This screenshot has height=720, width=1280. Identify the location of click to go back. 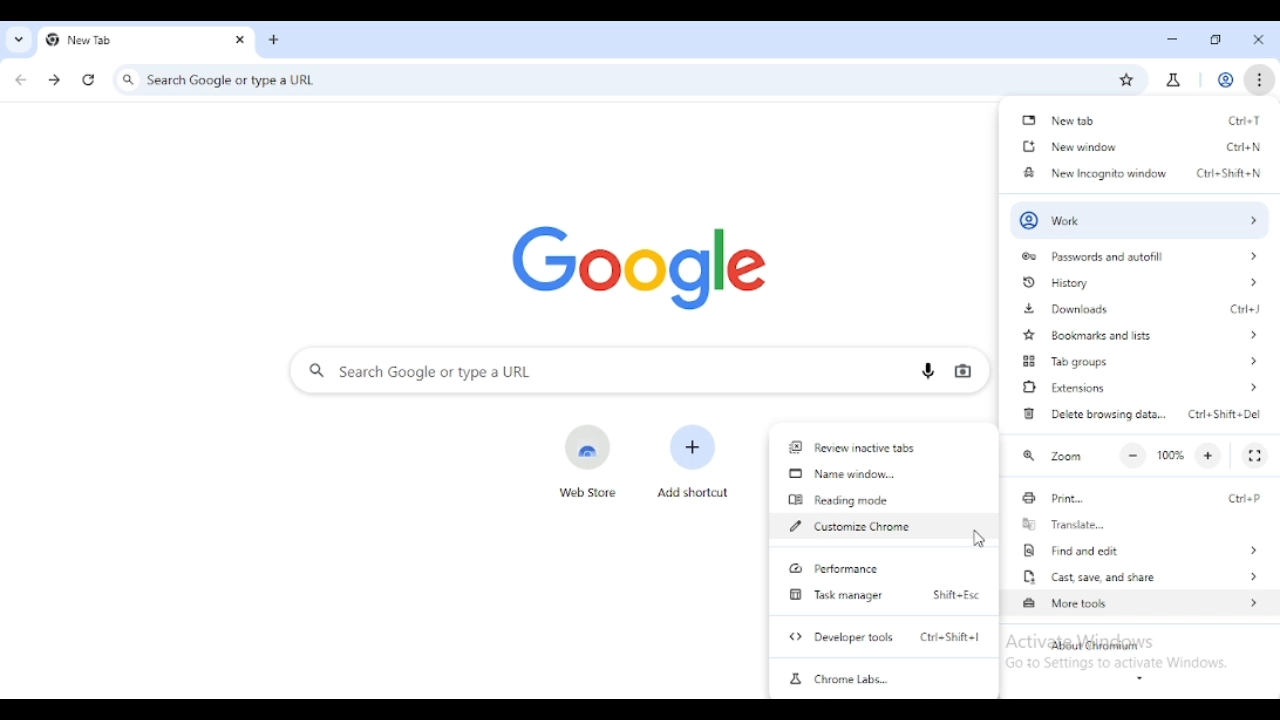
(20, 81).